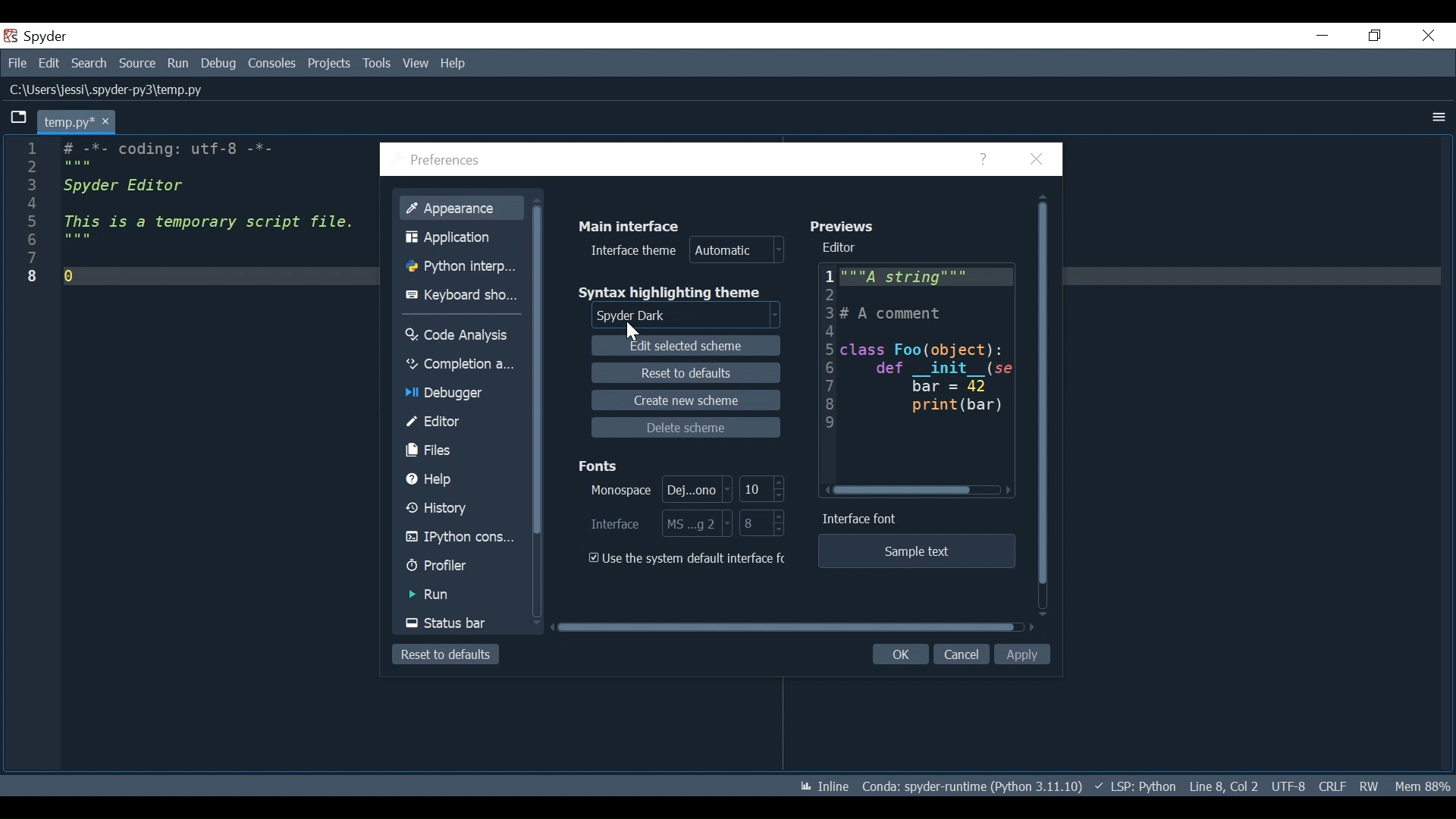 The image size is (1456, 819). I want to click on Help, so click(463, 479).